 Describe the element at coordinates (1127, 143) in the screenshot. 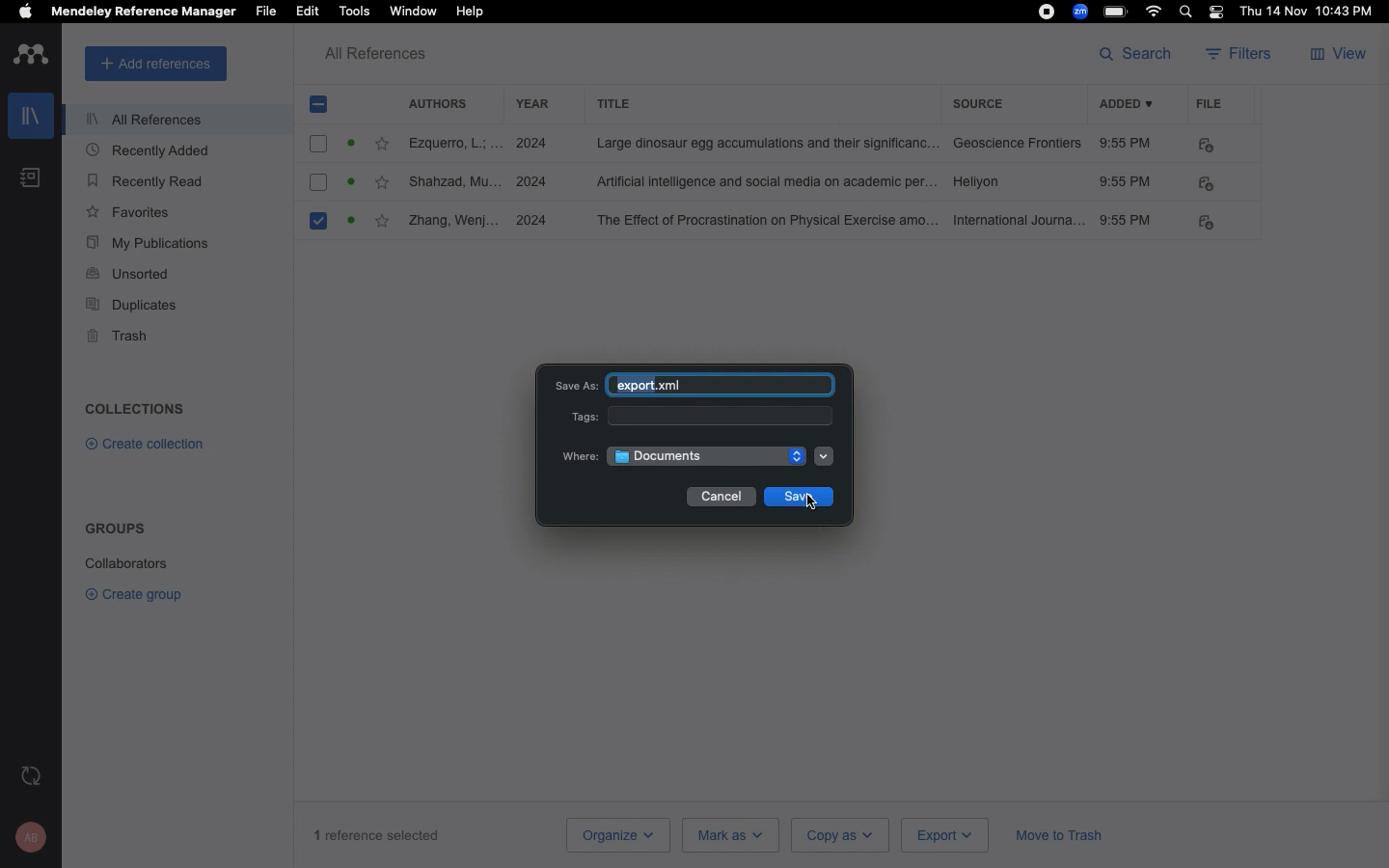

I see `9:55 PM` at that location.